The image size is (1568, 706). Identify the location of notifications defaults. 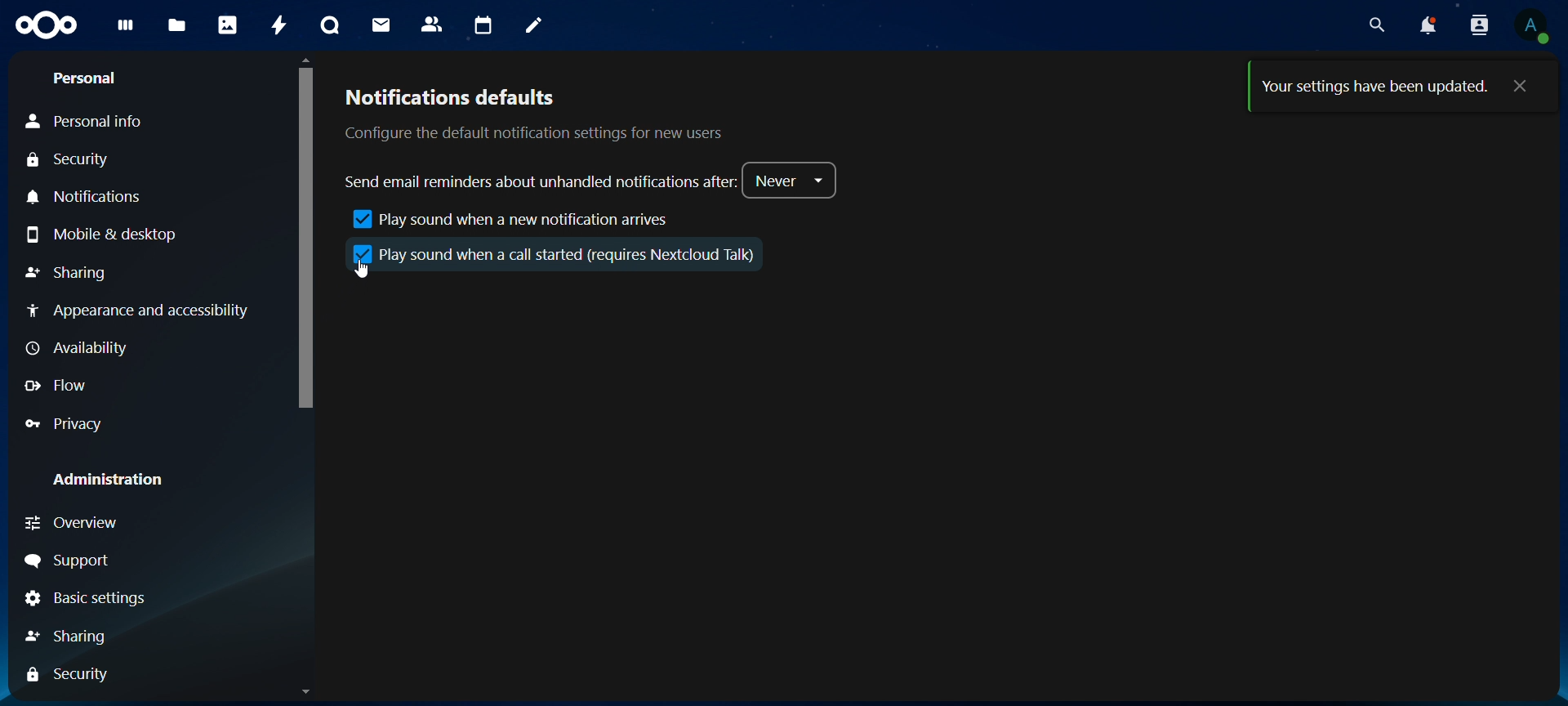
(532, 117).